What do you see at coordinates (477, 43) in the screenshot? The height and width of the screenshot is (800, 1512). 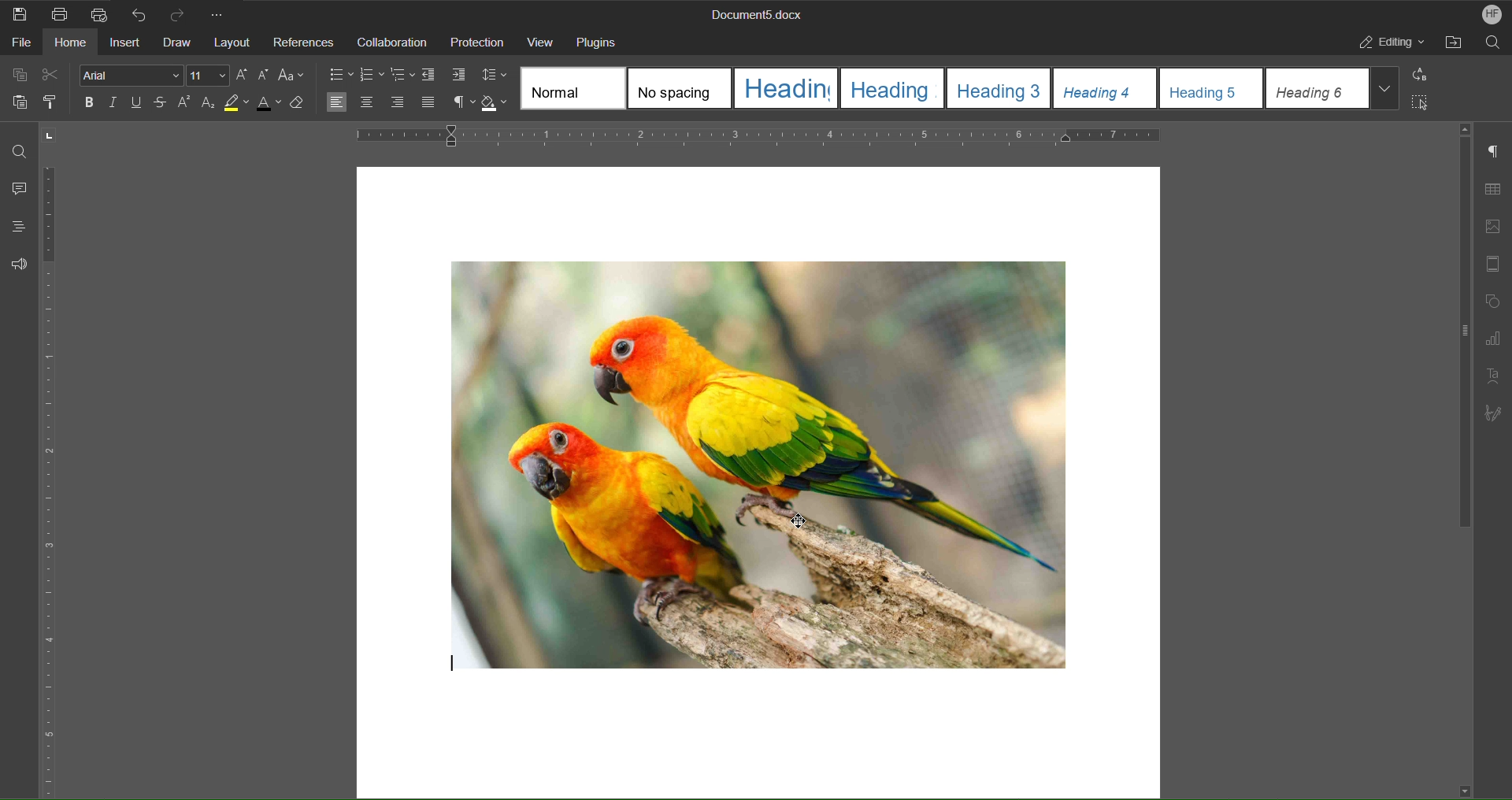 I see `Protection` at bounding box center [477, 43].